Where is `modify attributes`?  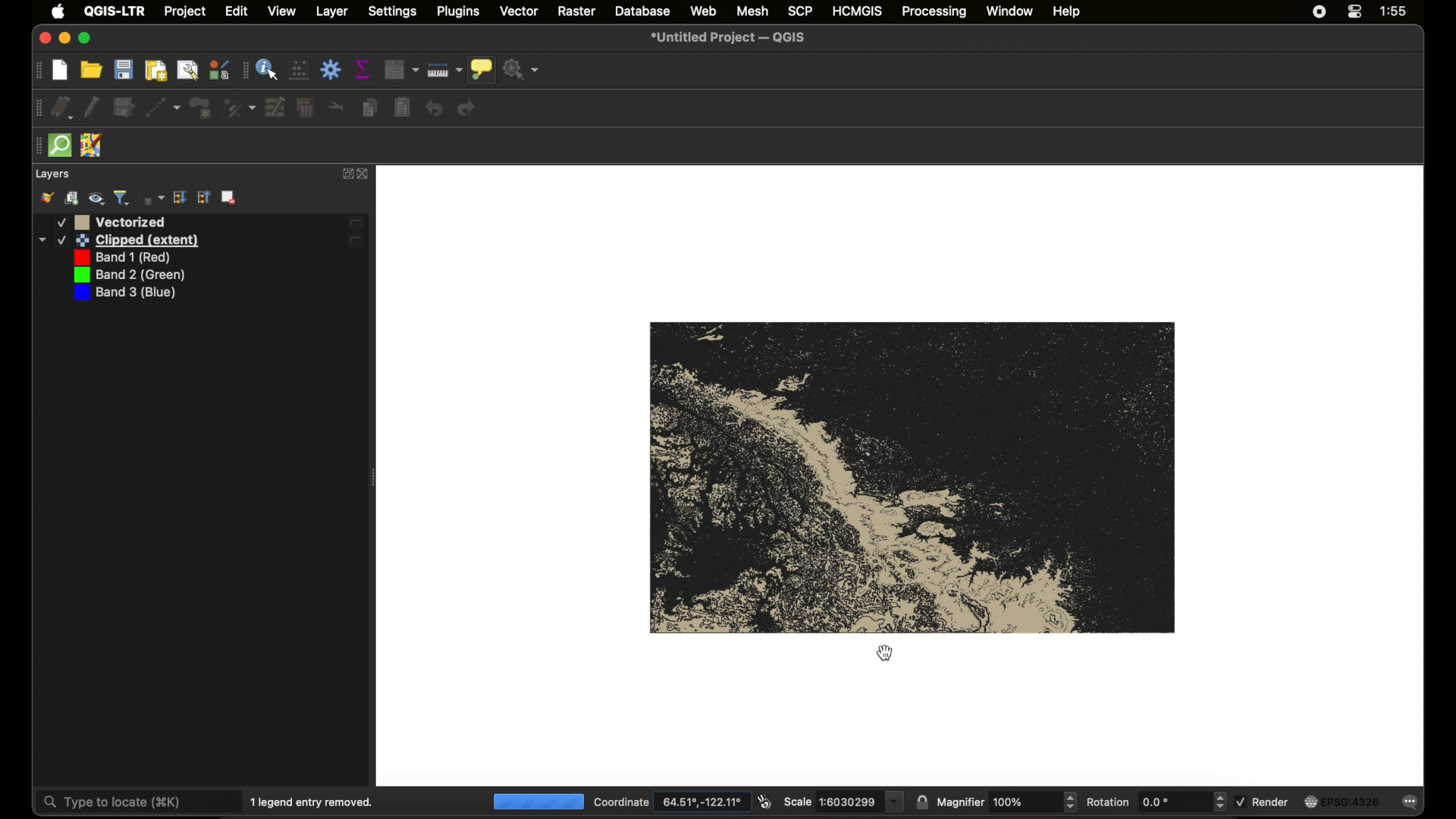 modify attributes is located at coordinates (274, 107).